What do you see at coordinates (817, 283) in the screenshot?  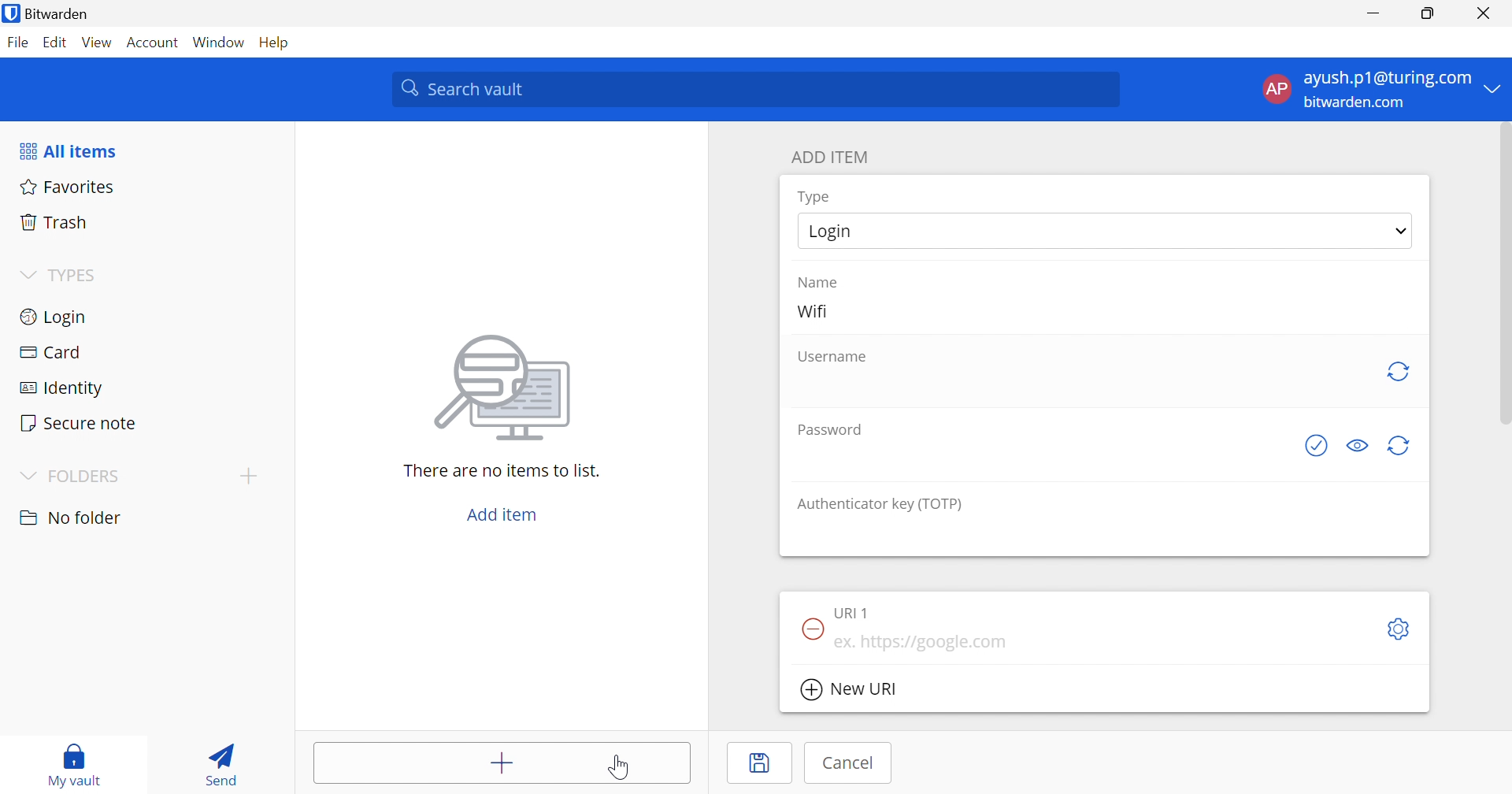 I see `Name` at bounding box center [817, 283].